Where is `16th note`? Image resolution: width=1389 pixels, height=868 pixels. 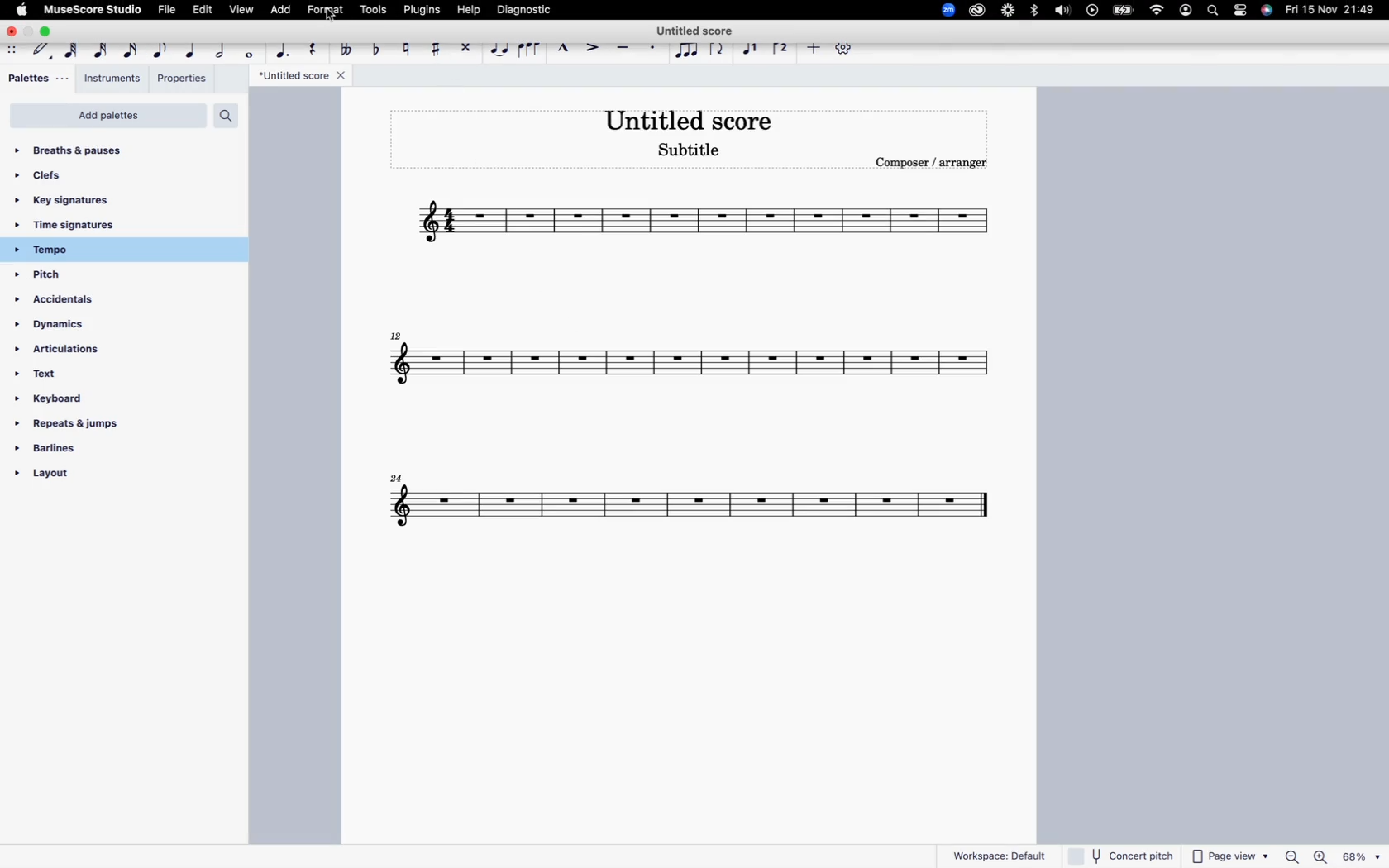
16th note is located at coordinates (131, 48).